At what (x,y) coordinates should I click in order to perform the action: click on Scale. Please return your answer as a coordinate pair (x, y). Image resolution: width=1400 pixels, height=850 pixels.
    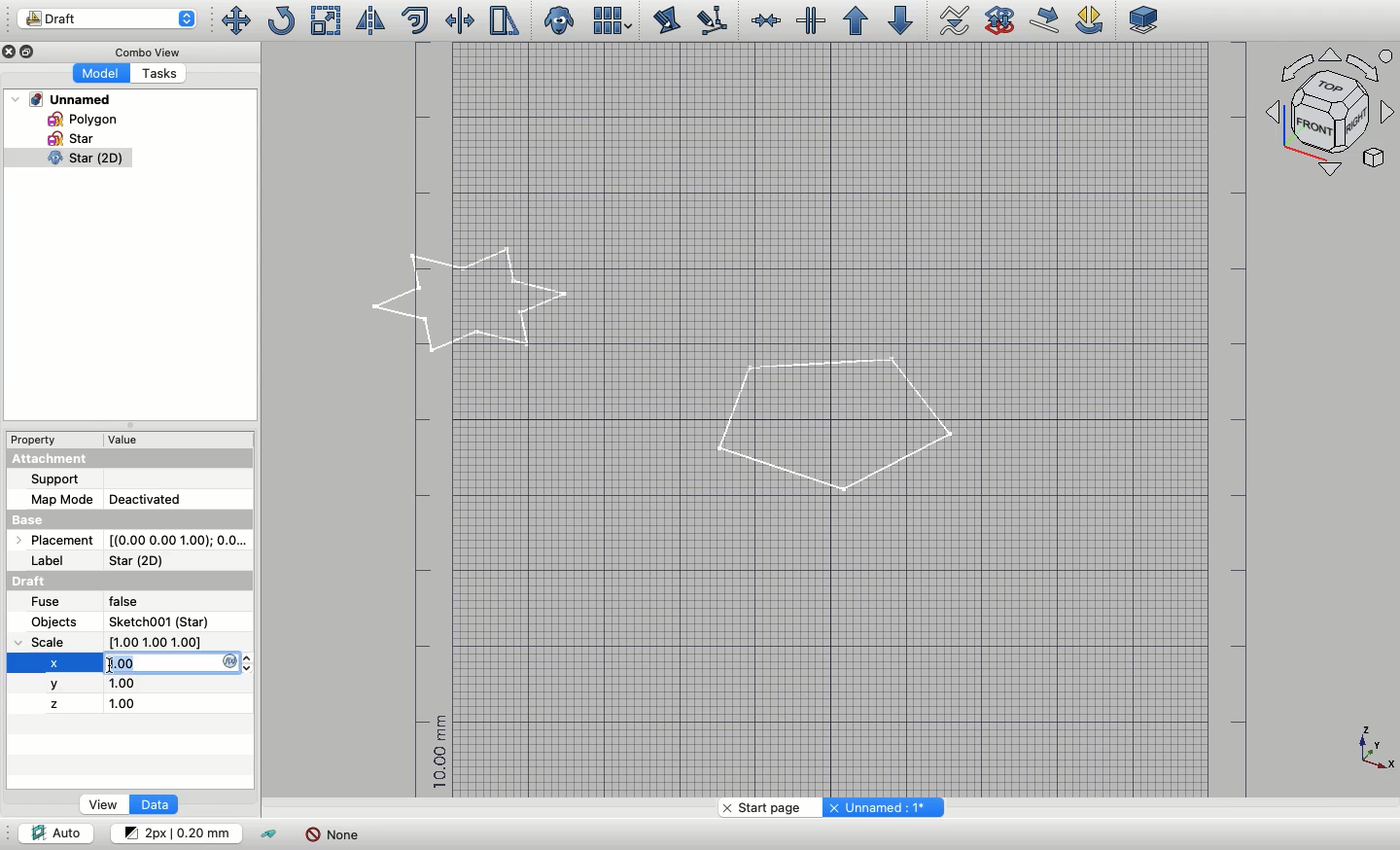
    Looking at the image, I should click on (327, 20).